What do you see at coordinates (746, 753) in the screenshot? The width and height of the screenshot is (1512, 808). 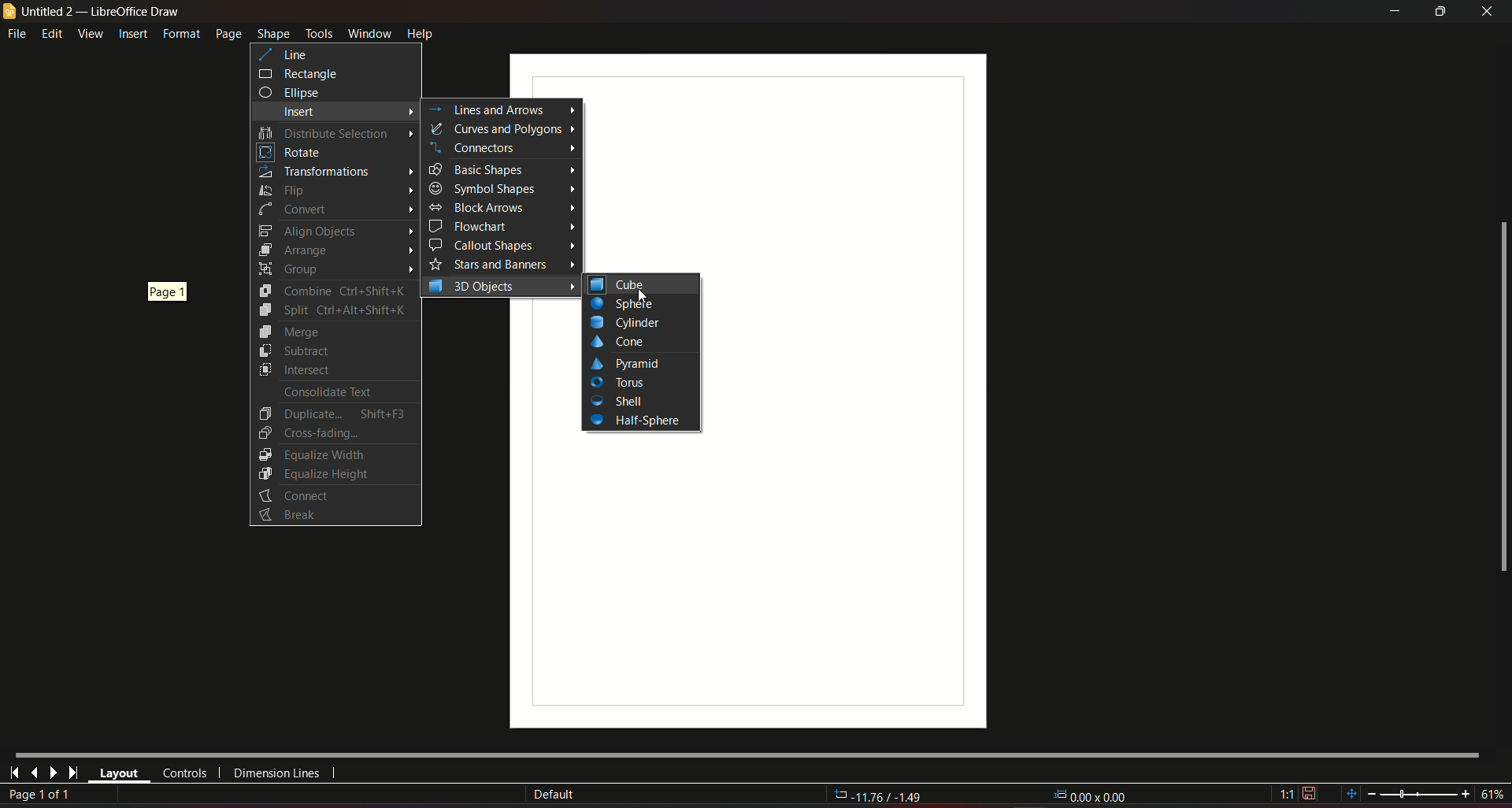 I see `Horizontal scroll bar` at bounding box center [746, 753].